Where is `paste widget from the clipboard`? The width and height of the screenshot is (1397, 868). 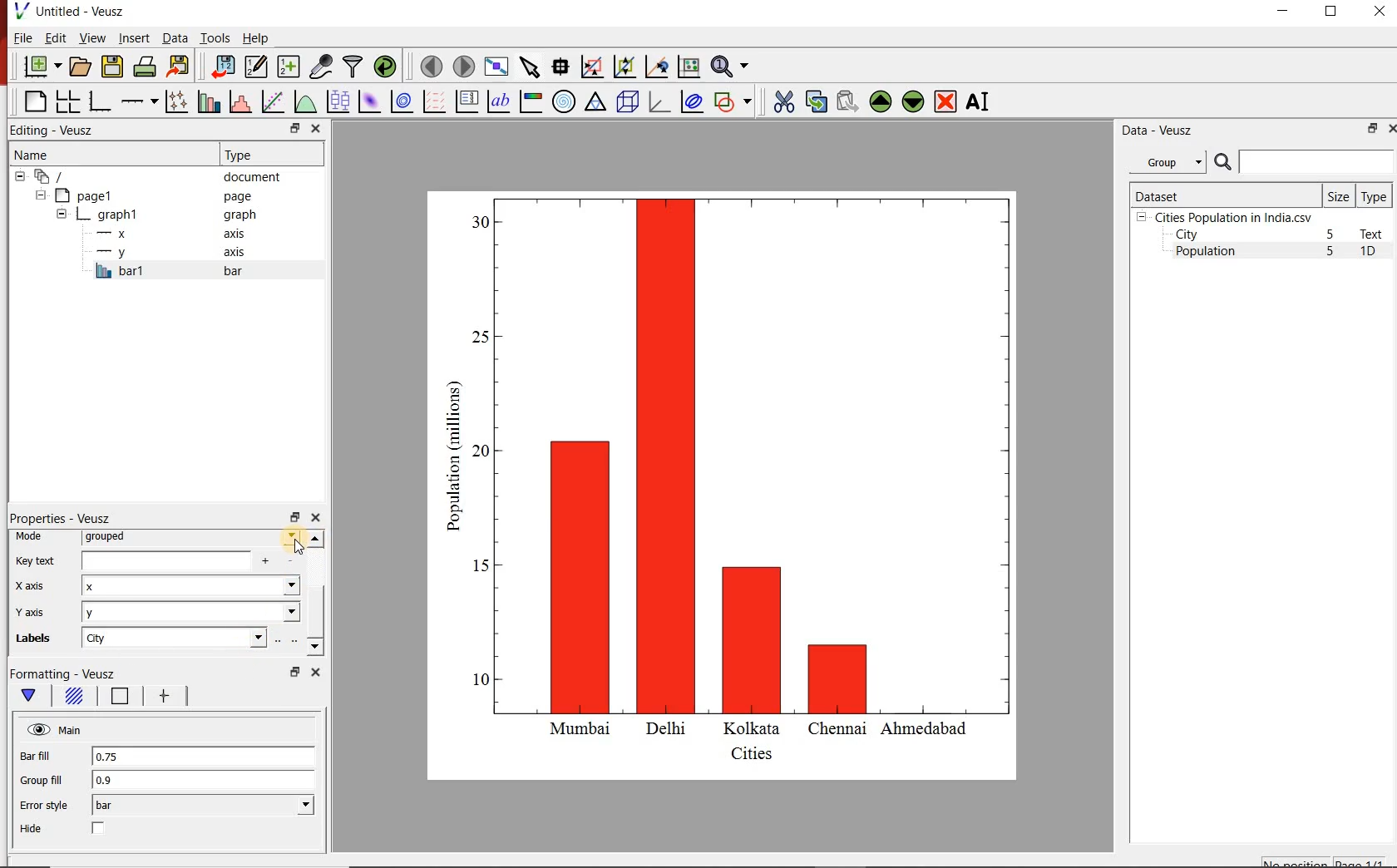 paste widget from the clipboard is located at coordinates (847, 101).